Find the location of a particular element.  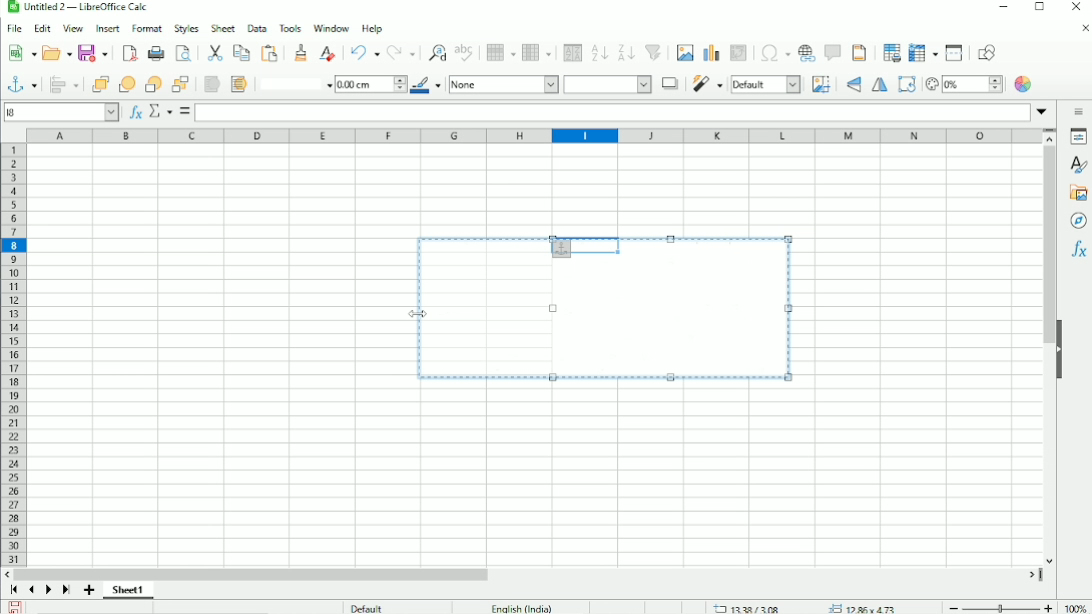

Formula is located at coordinates (185, 112).